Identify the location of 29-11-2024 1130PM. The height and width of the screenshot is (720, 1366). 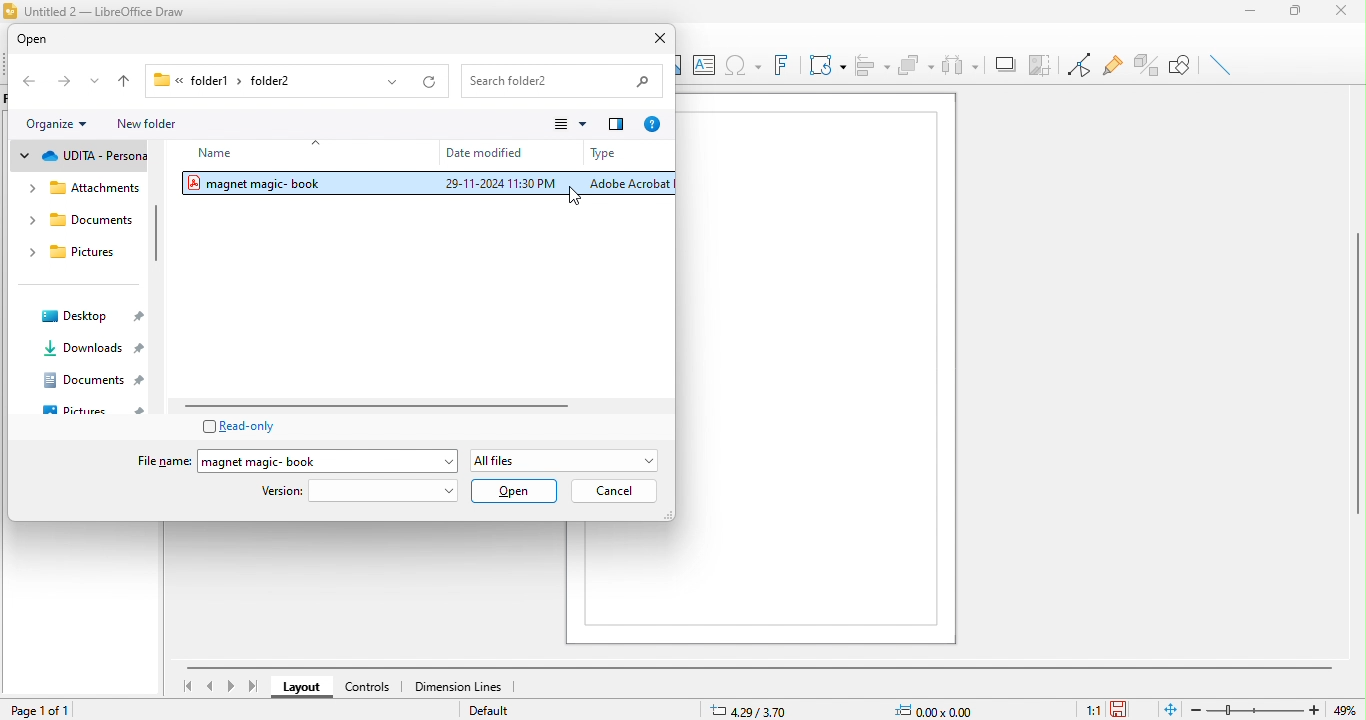
(498, 184).